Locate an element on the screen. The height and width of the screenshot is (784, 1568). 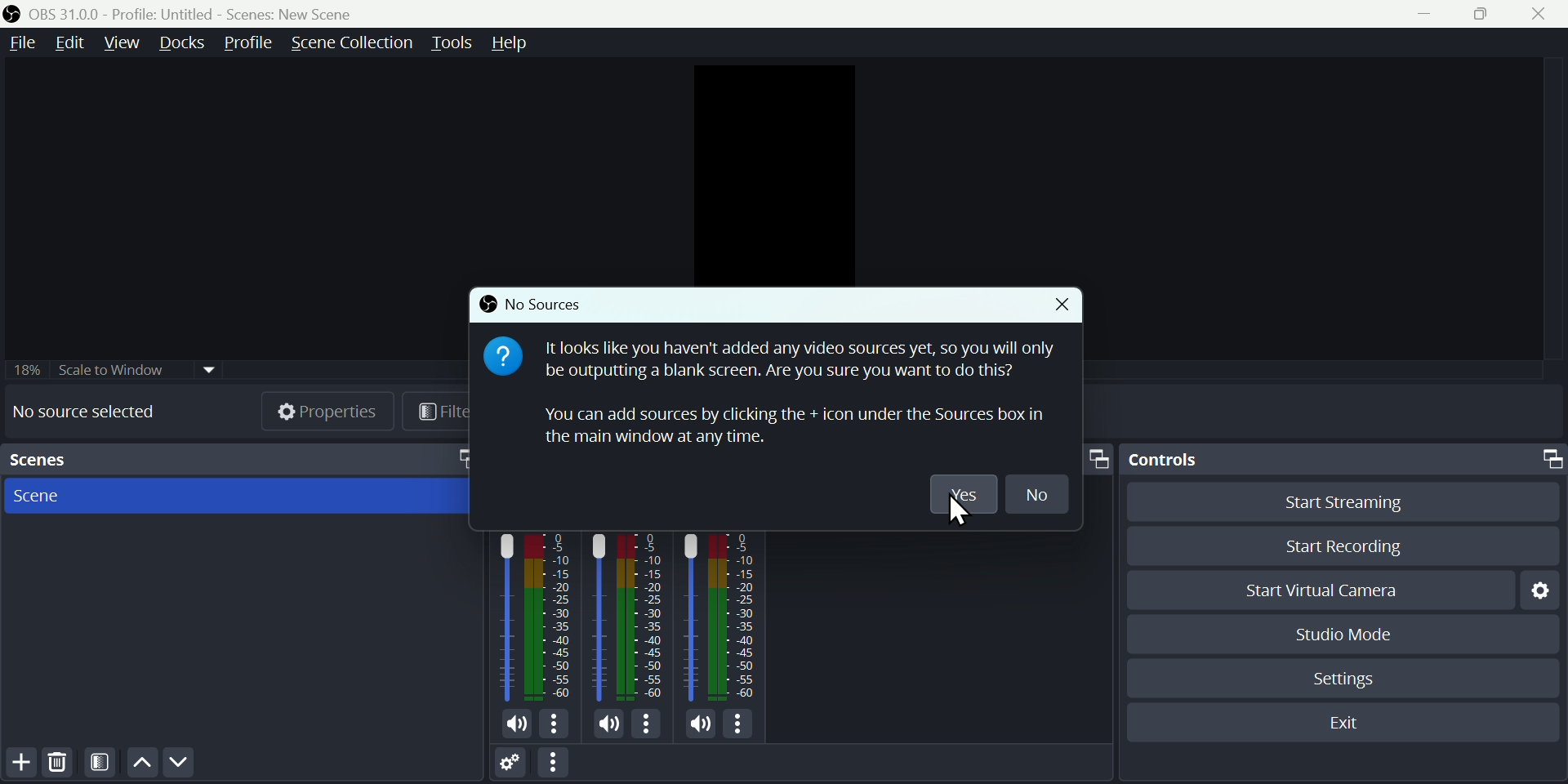
Delete is located at coordinates (60, 762).